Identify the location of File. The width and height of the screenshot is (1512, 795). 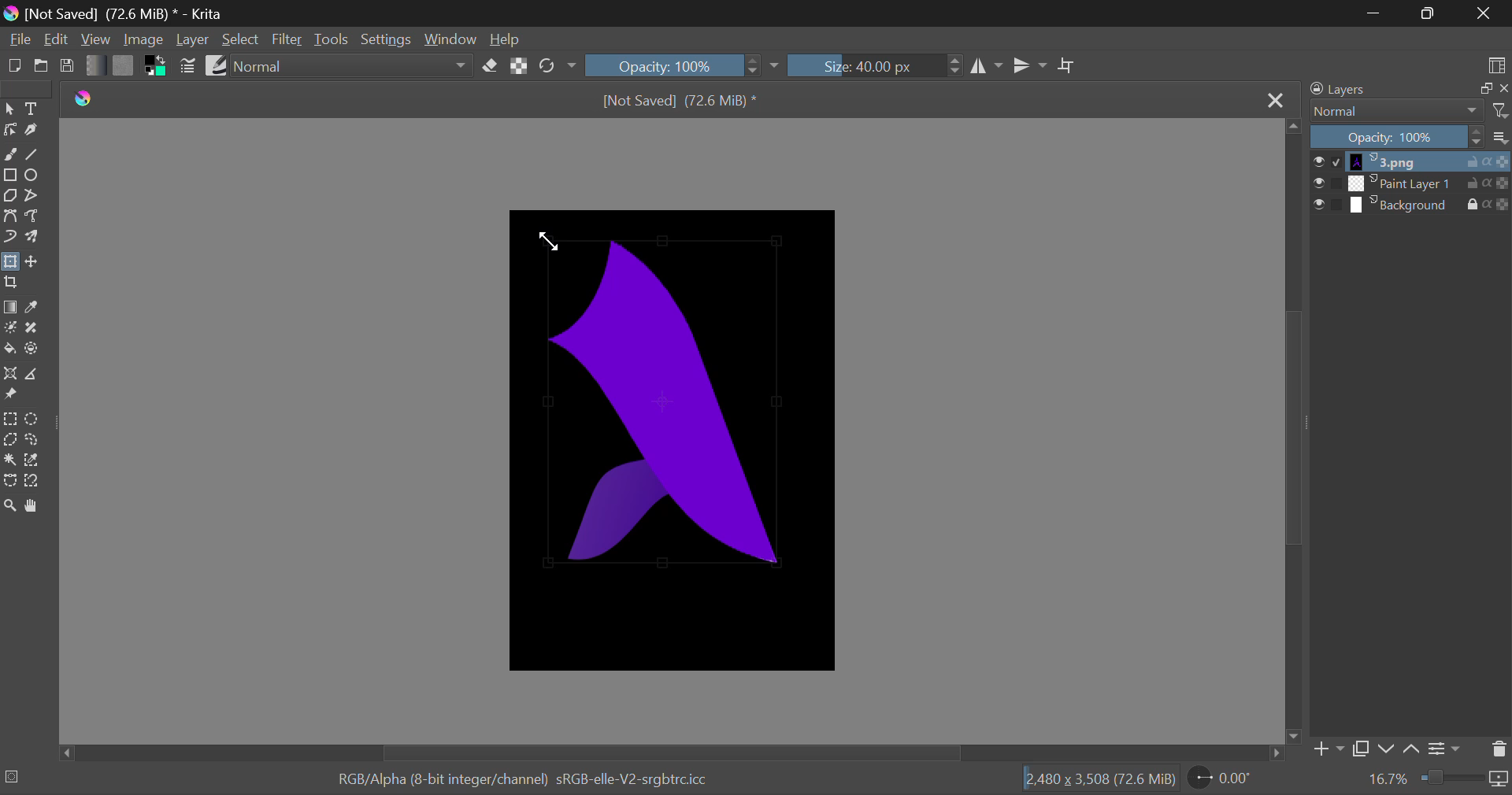
(19, 39).